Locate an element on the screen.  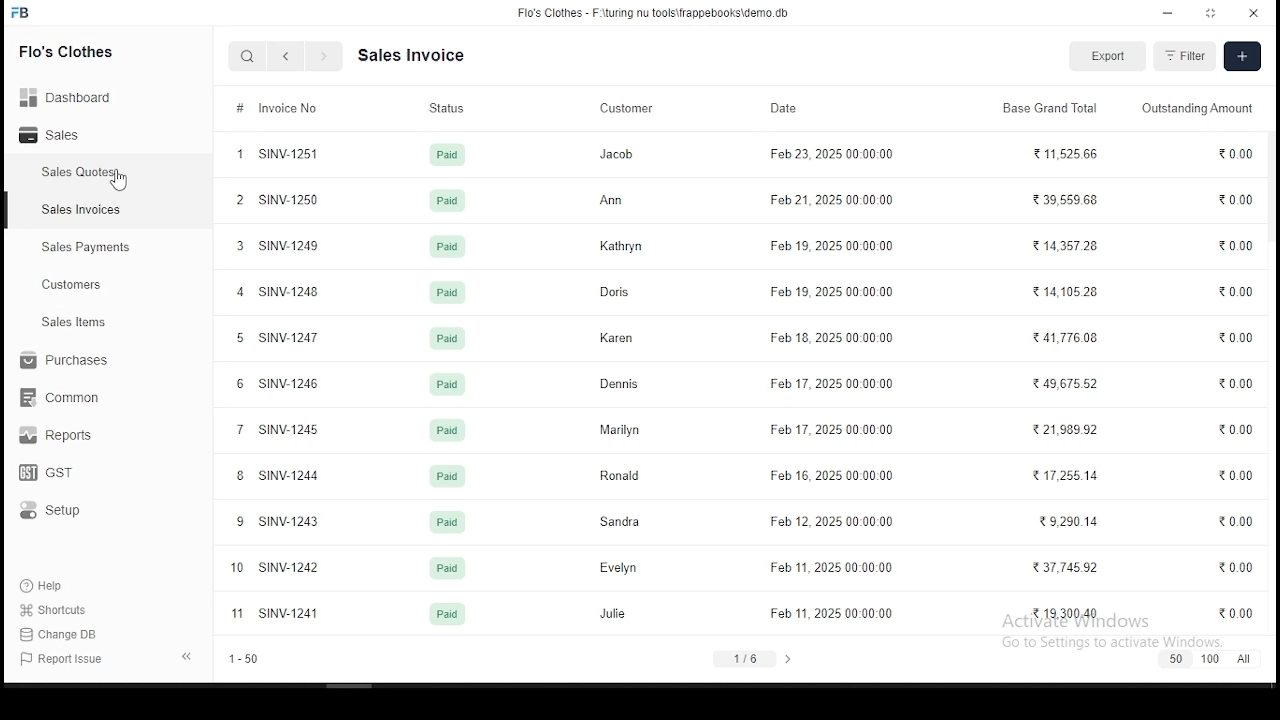
3 SINV-1249 is located at coordinates (280, 244).